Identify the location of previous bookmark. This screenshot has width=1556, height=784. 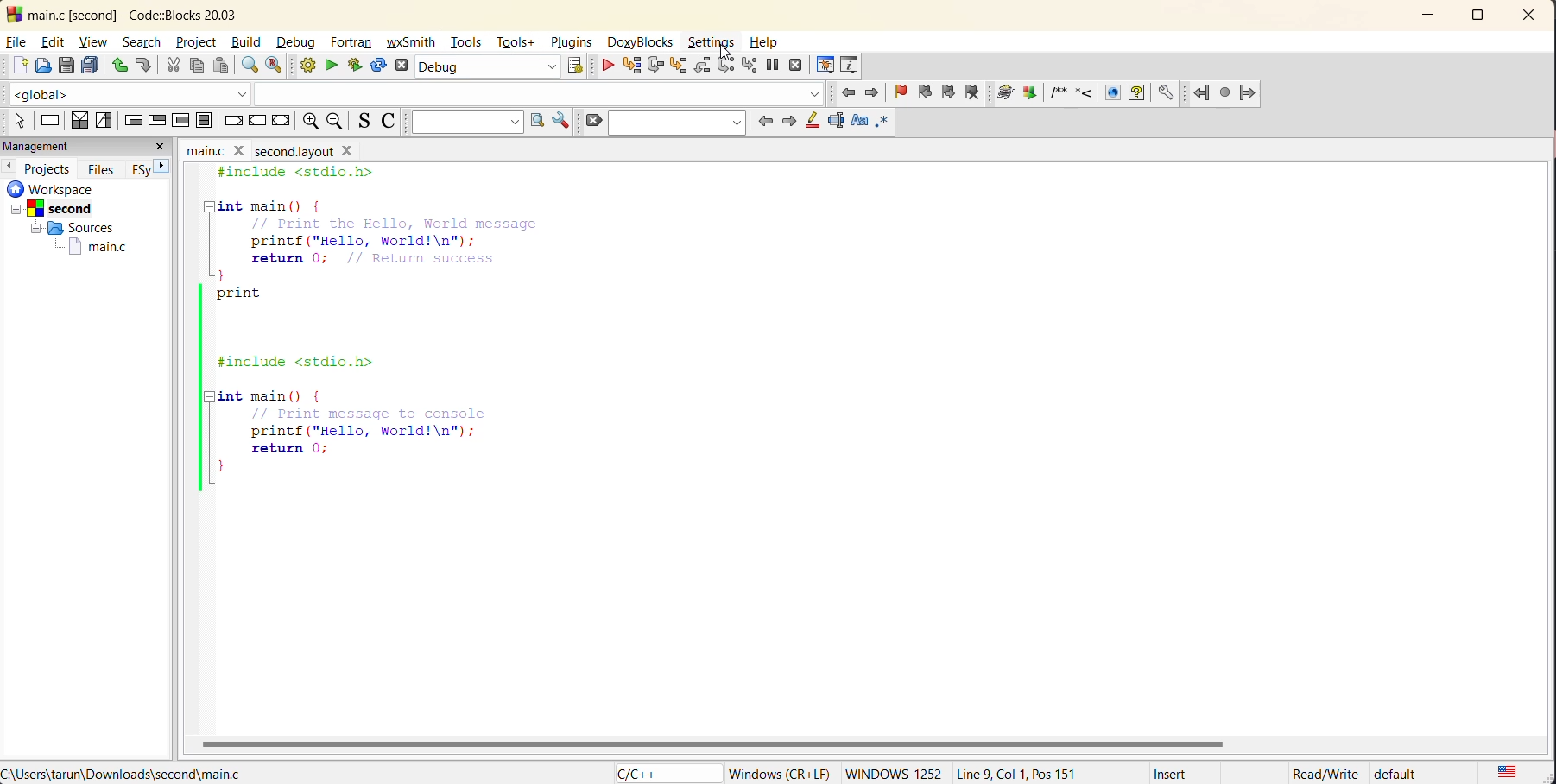
(923, 92).